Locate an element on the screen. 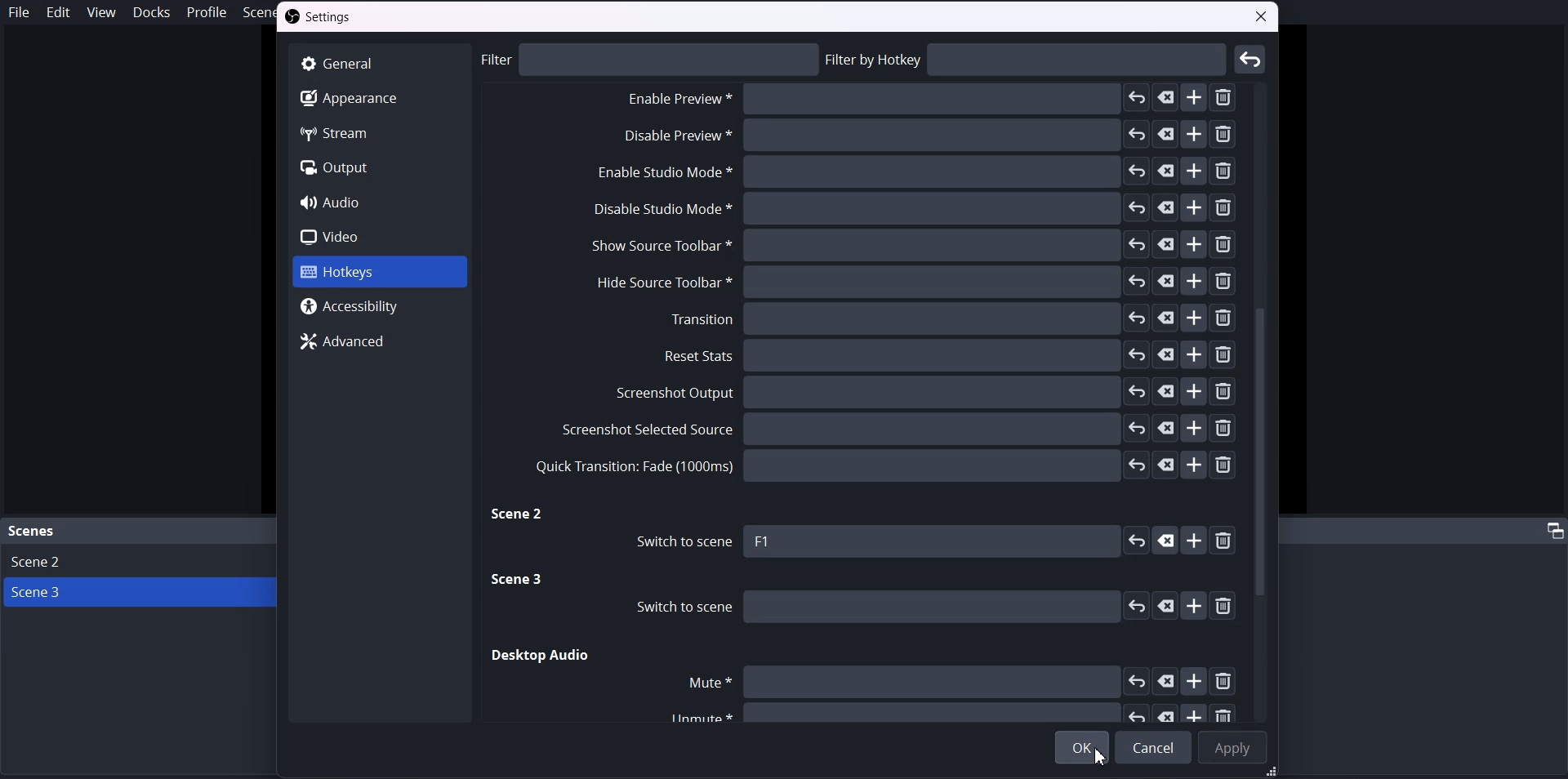  Disable studio mode is located at coordinates (913, 209).